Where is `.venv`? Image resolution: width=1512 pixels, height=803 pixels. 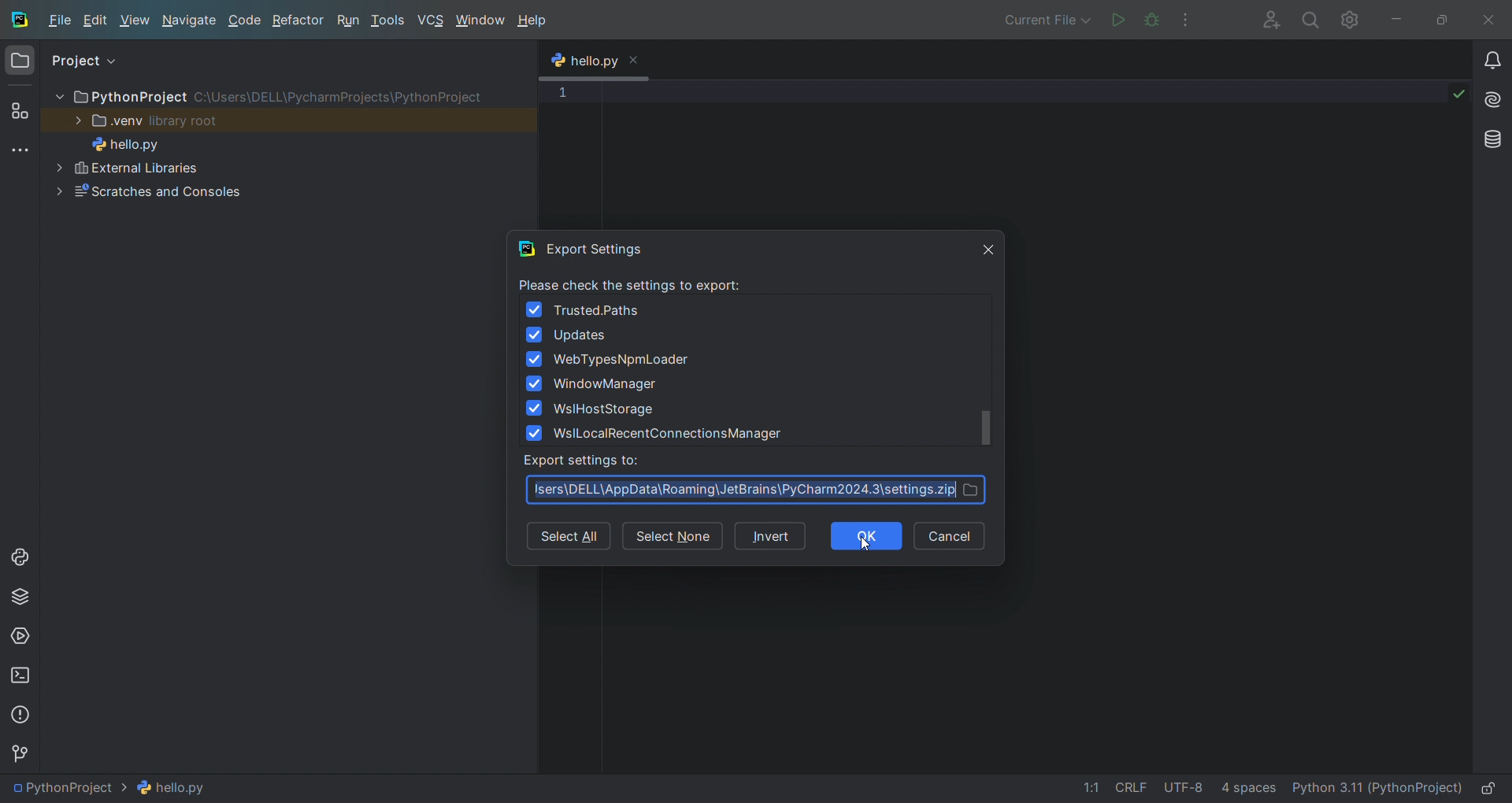 .venv is located at coordinates (150, 120).